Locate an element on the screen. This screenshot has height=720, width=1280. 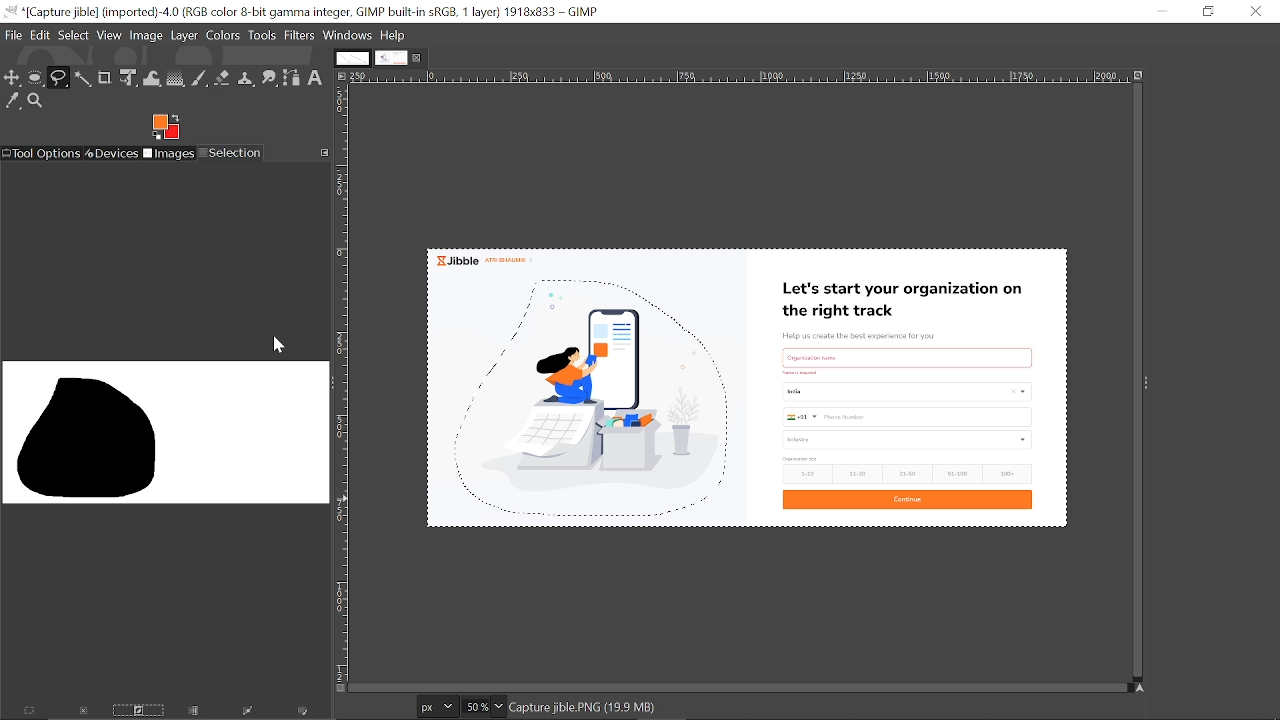
Tools is located at coordinates (263, 35).